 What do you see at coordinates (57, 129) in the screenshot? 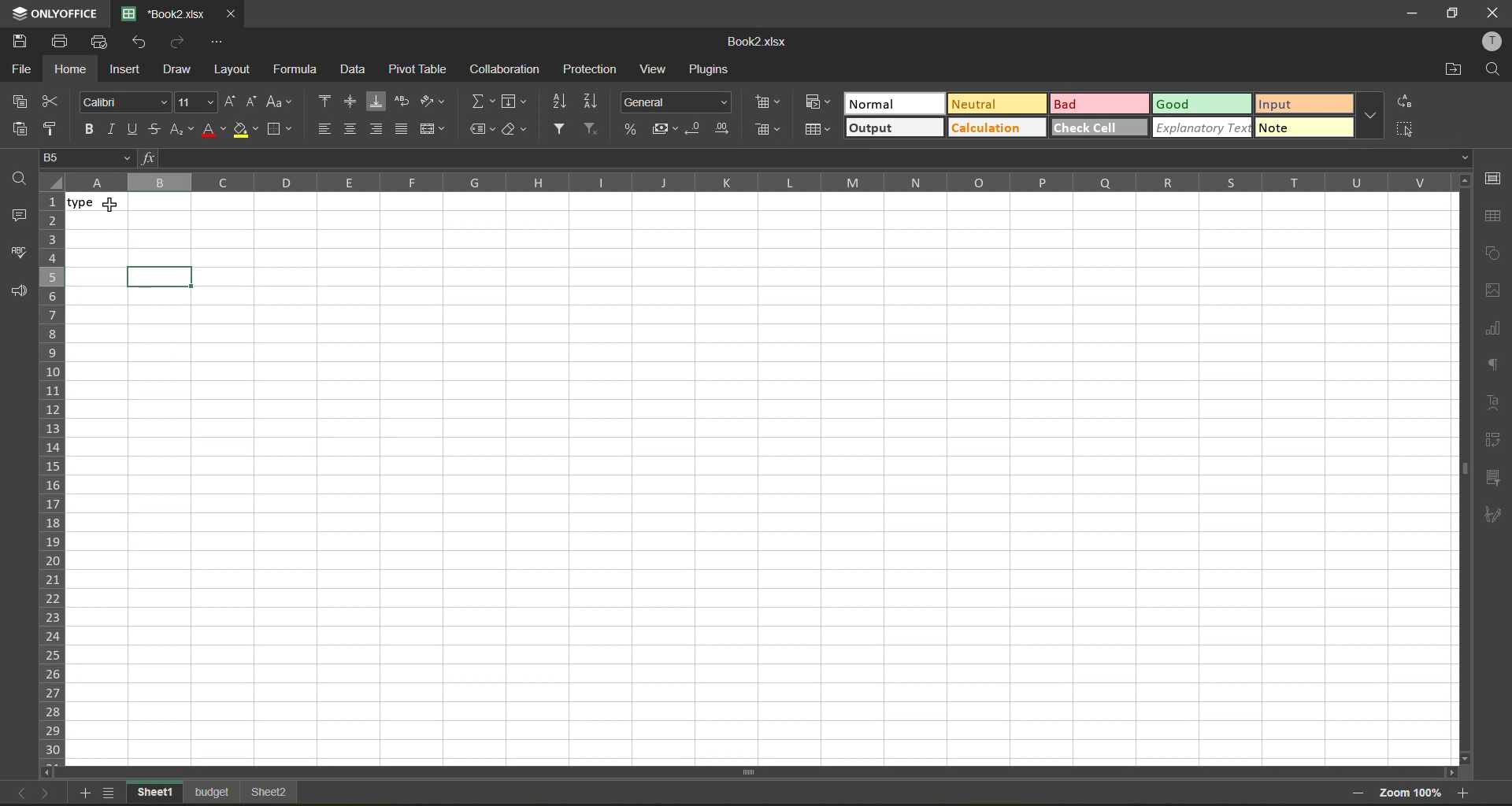
I see `copy style` at bounding box center [57, 129].